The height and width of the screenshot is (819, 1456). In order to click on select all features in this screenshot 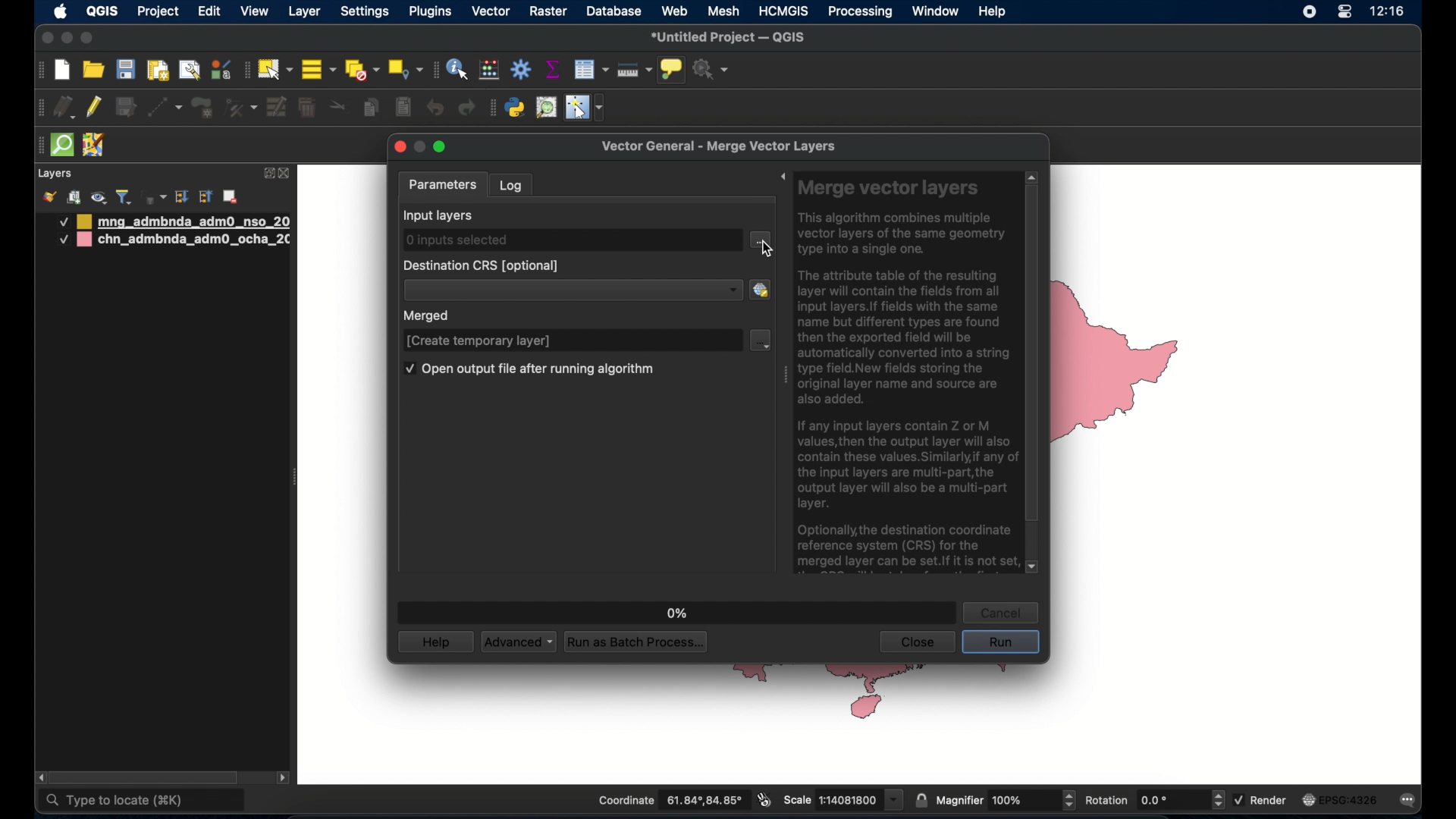, I will do `click(319, 71)`.